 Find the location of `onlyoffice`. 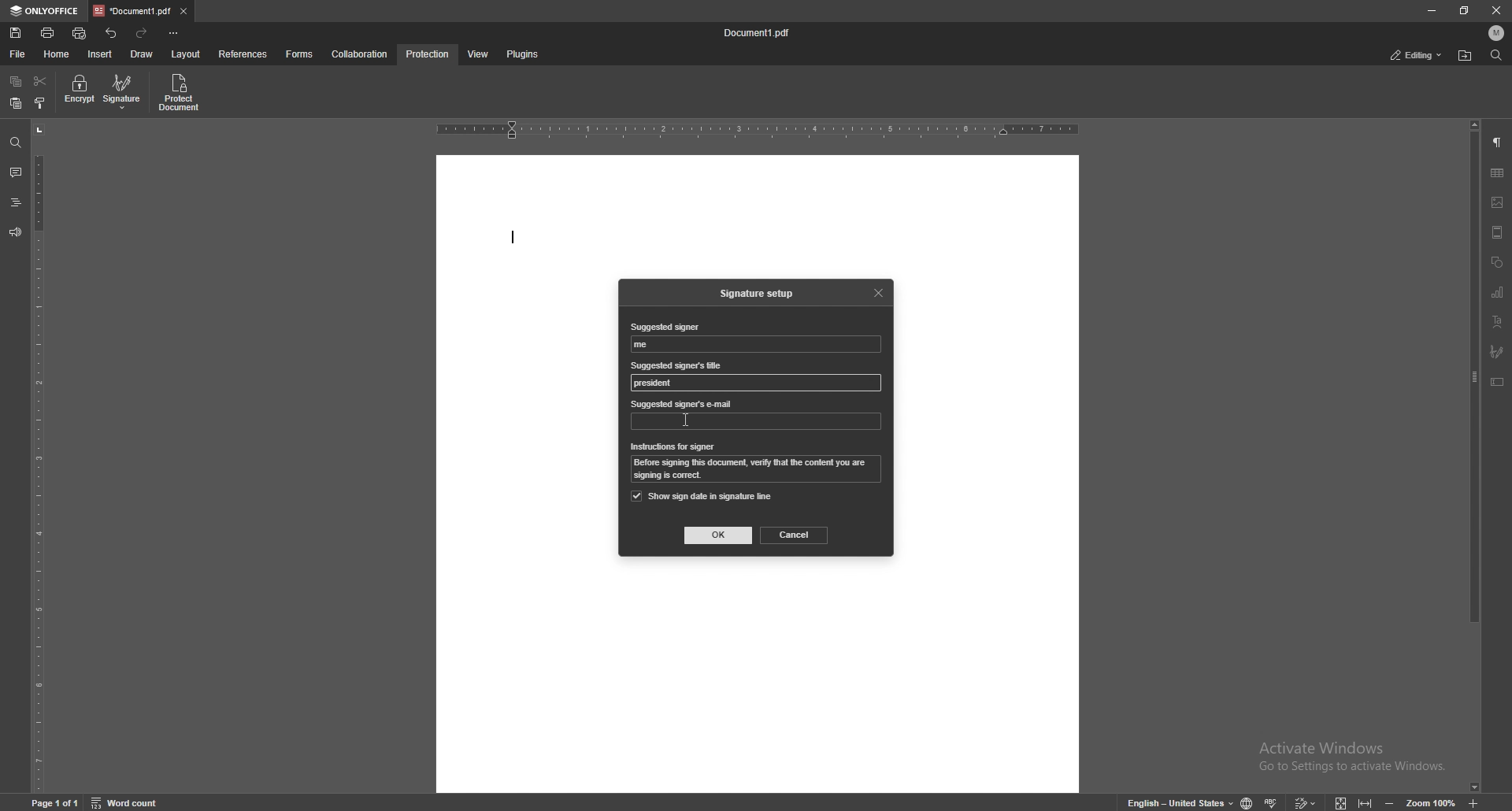

onlyoffice is located at coordinates (46, 11).